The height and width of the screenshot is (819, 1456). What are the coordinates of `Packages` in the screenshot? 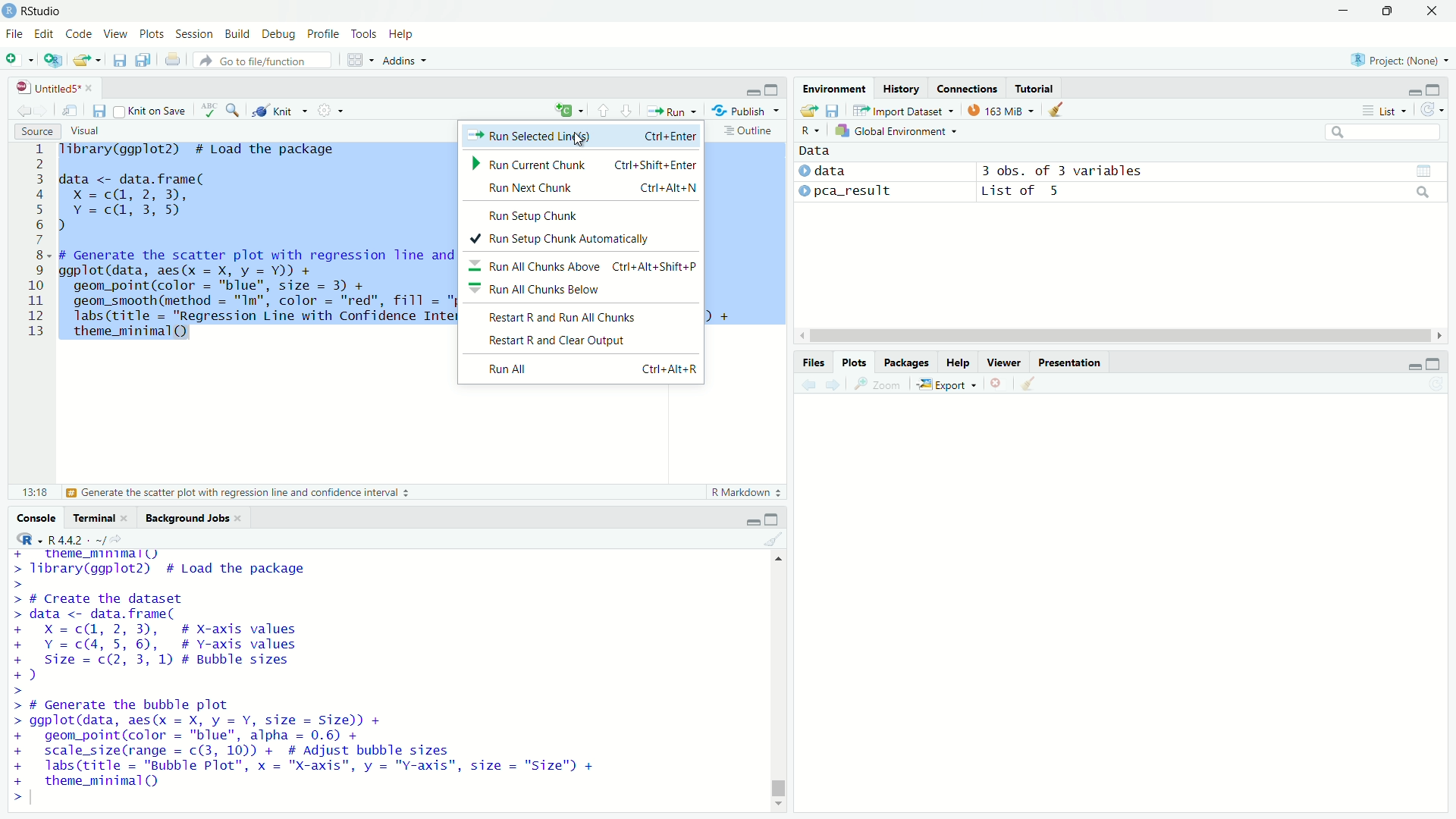 It's located at (905, 362).